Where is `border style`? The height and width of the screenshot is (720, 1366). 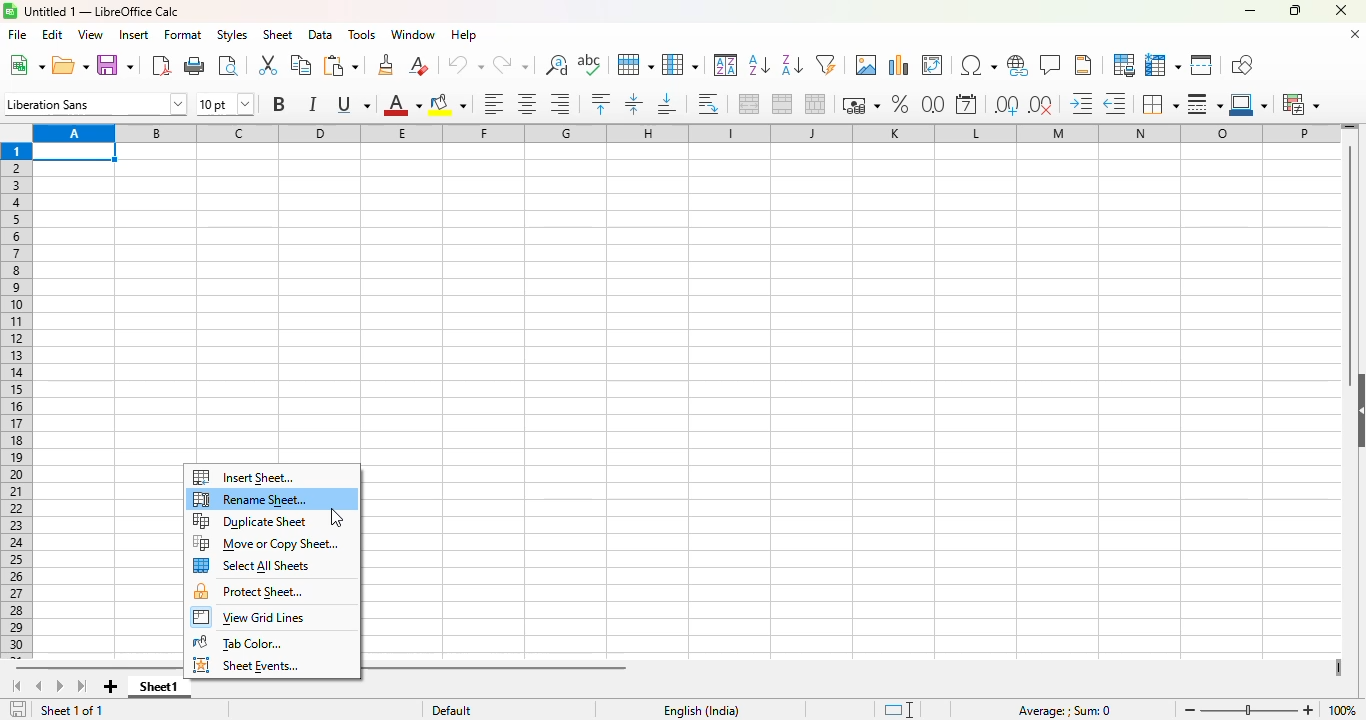 border style is located at coordinates (1205, 105).